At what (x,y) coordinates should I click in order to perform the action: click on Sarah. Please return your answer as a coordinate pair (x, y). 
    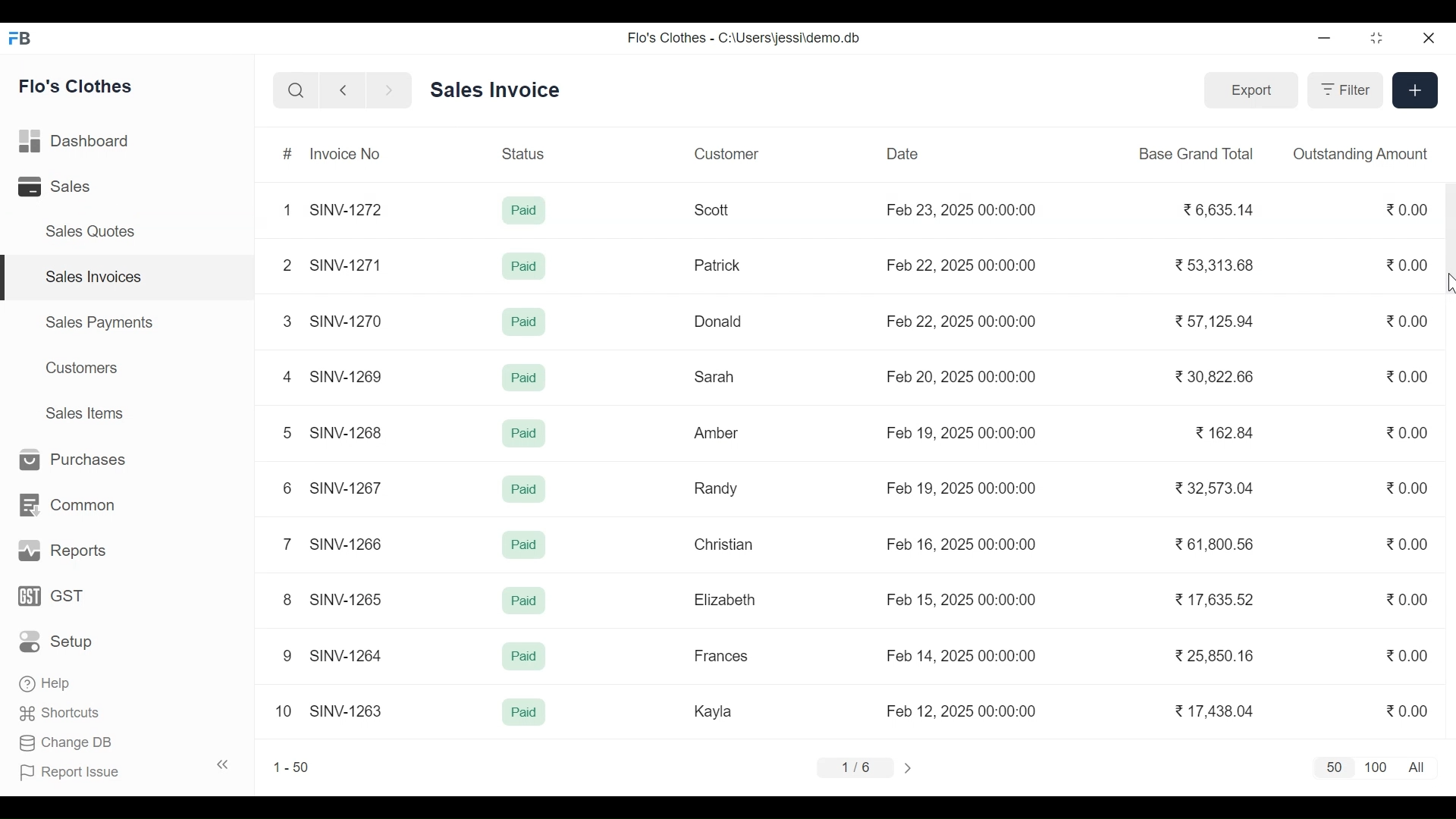
    Looking at the image, I should click on (716, 378).